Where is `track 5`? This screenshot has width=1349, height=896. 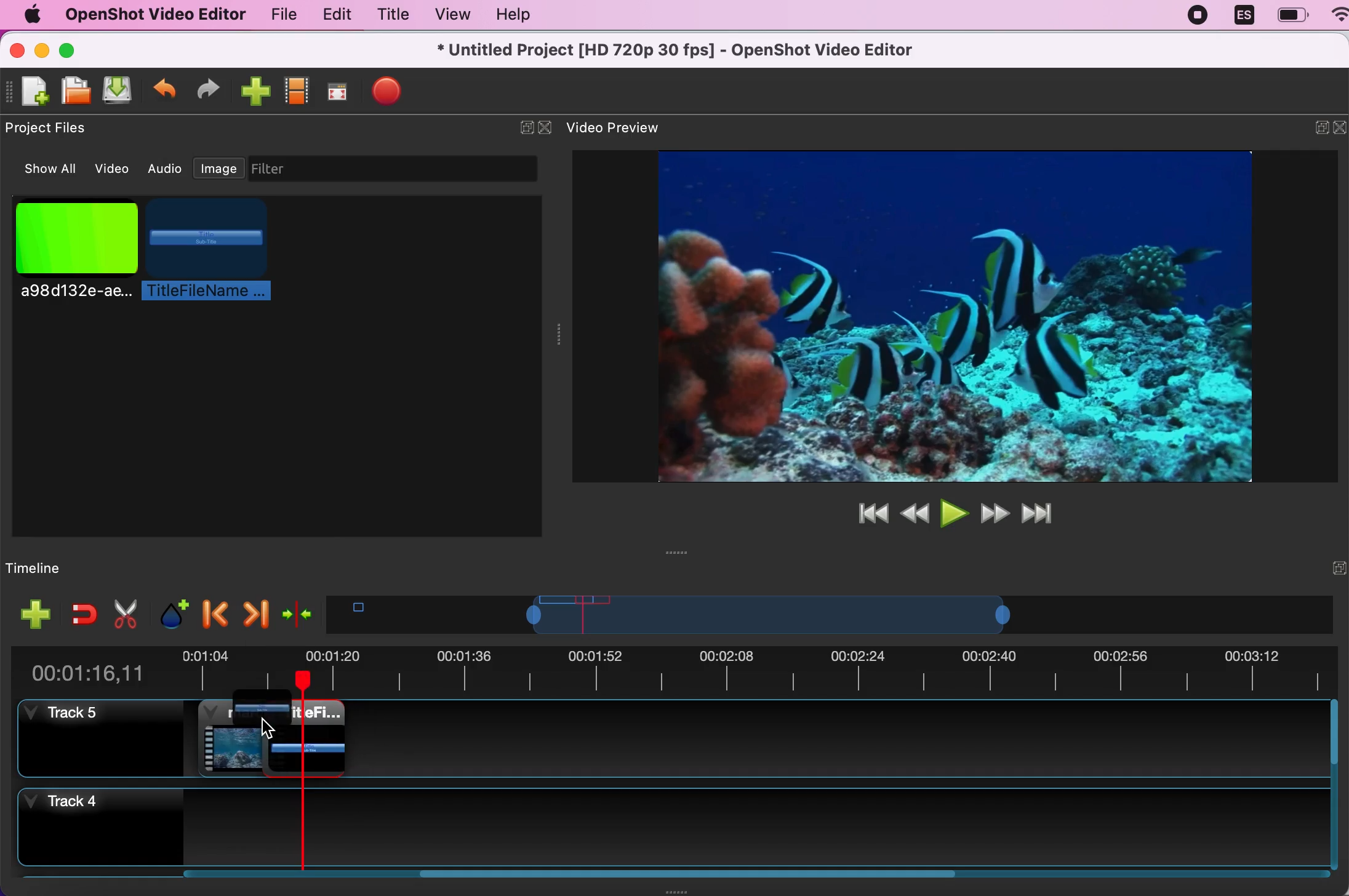
track 5 is located at coordinates (100, 738).